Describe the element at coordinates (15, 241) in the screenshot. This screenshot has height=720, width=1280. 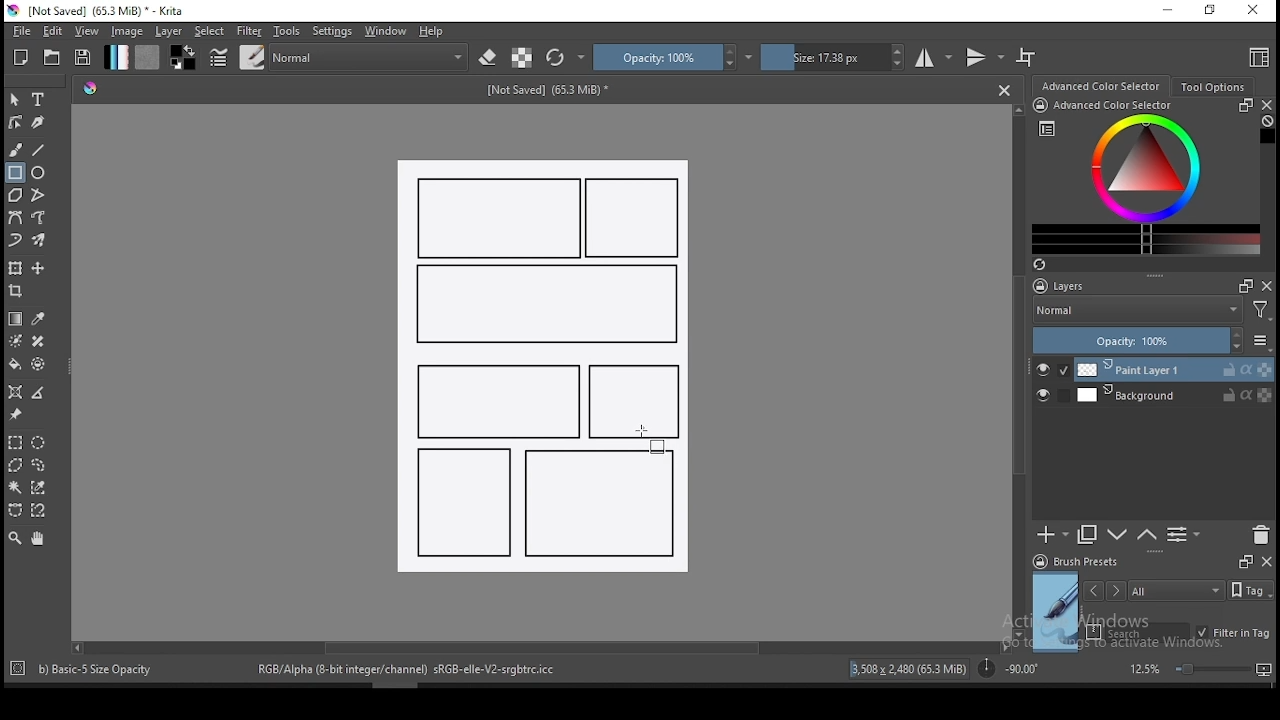
I see `dynamic brush tool` at that location.